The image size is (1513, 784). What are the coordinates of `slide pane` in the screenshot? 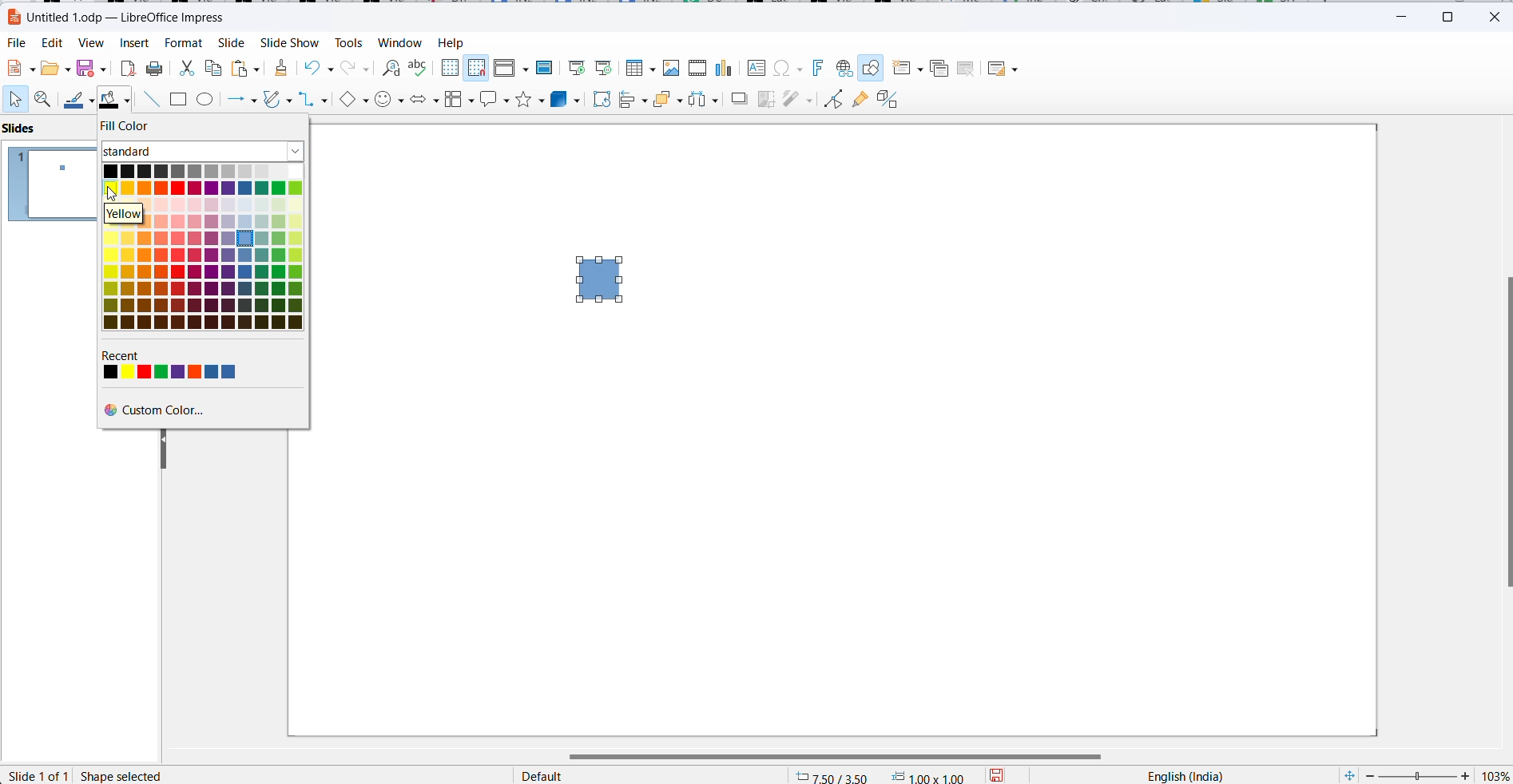 It's located at (36, 129).